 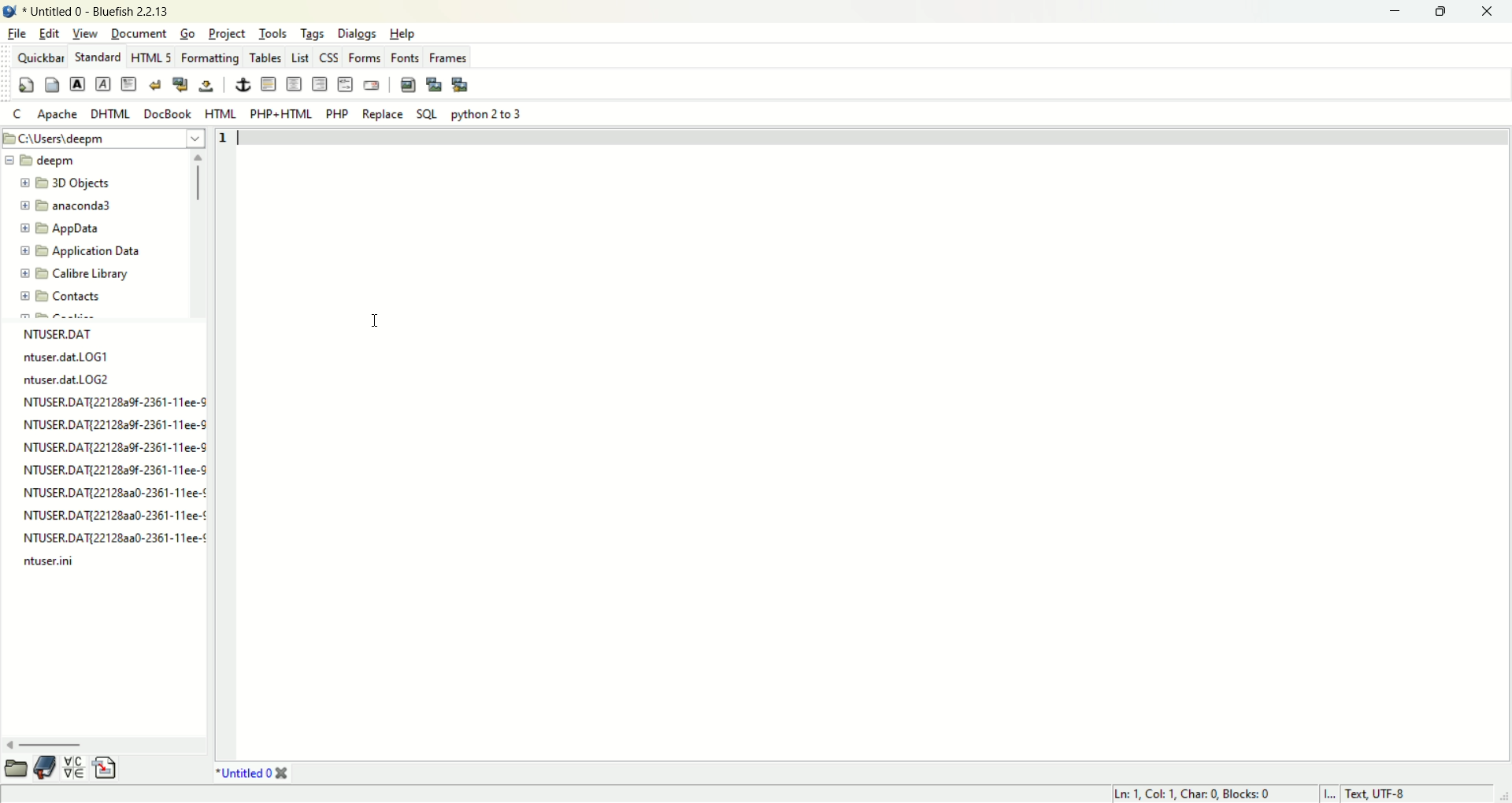 I want to click on body, so click(x=50, y=83).